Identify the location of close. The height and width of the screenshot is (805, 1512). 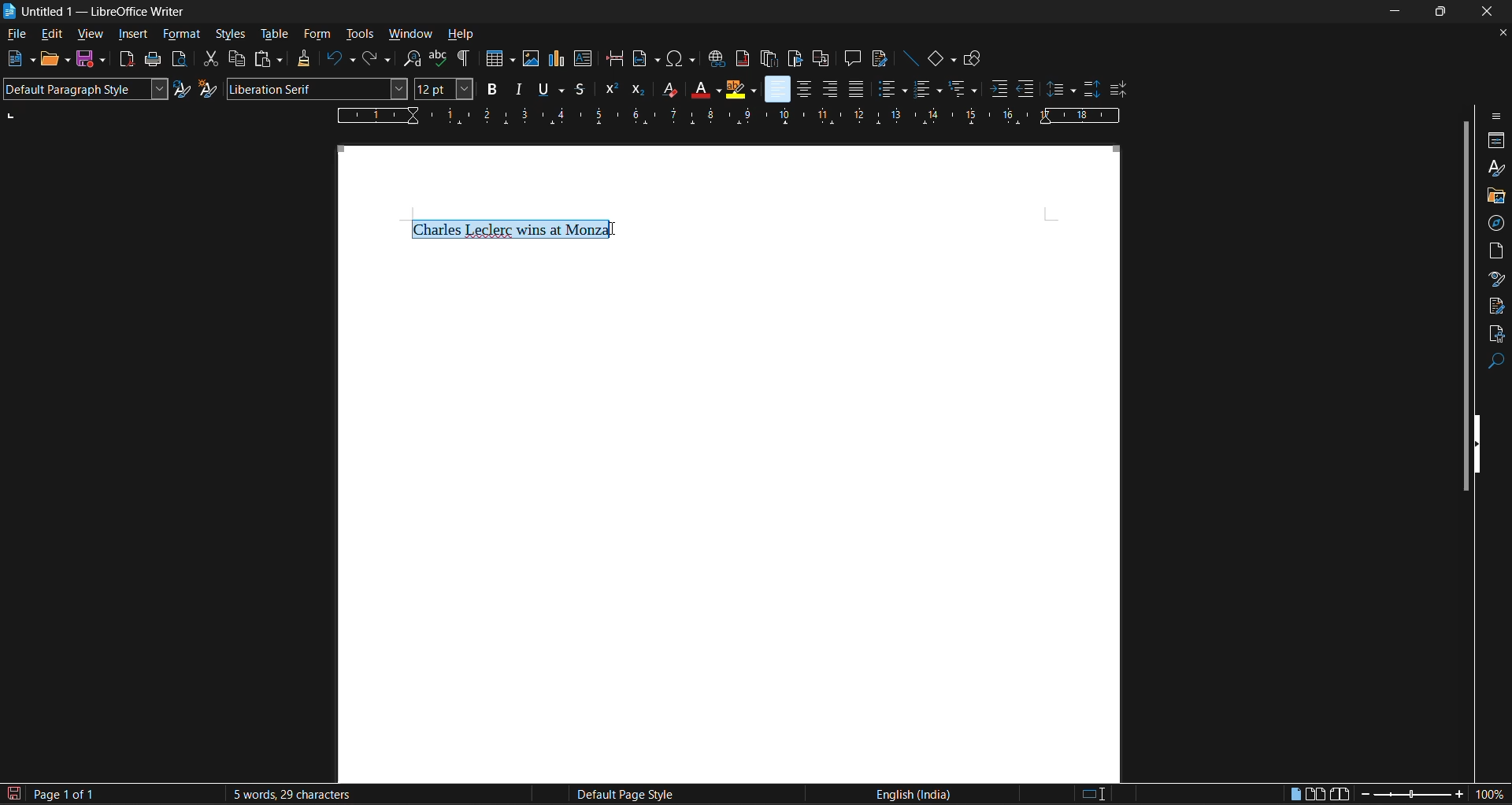
(1488, 12).